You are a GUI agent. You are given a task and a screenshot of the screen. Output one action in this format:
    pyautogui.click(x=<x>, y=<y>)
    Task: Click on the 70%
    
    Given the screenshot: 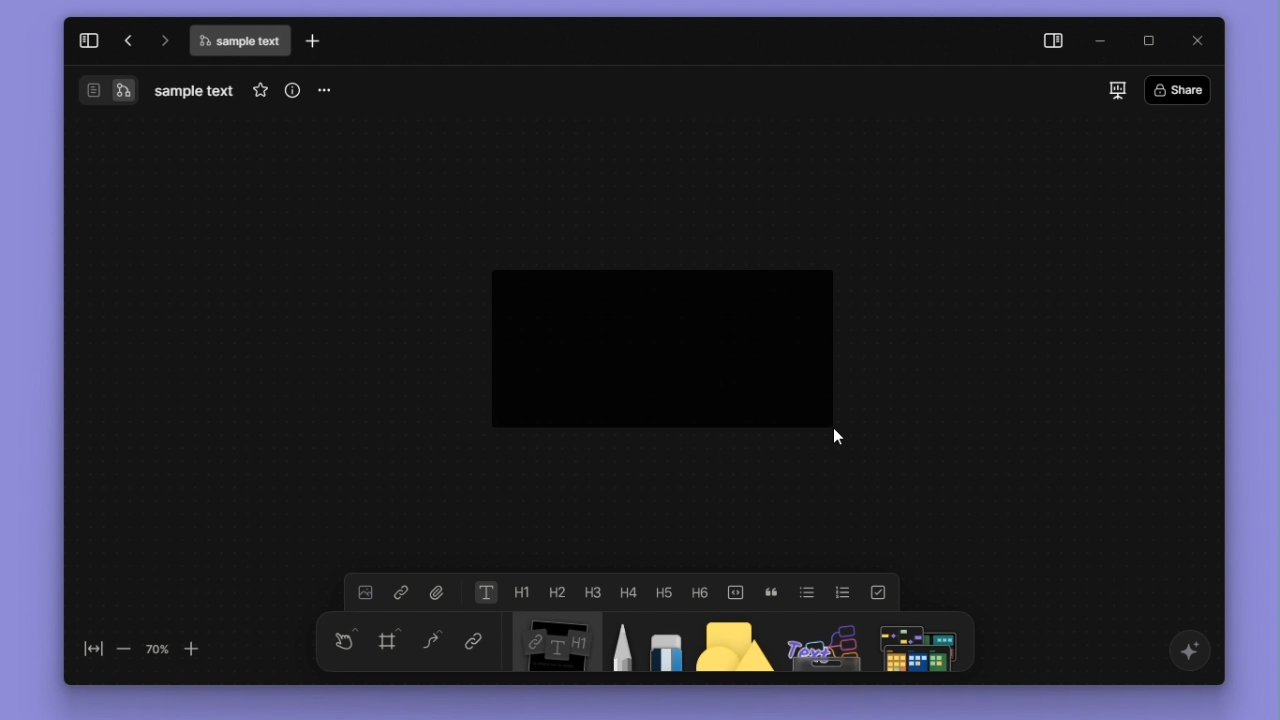 What is the action you would take?
    pyautogui.click(x=157, y=648)
    